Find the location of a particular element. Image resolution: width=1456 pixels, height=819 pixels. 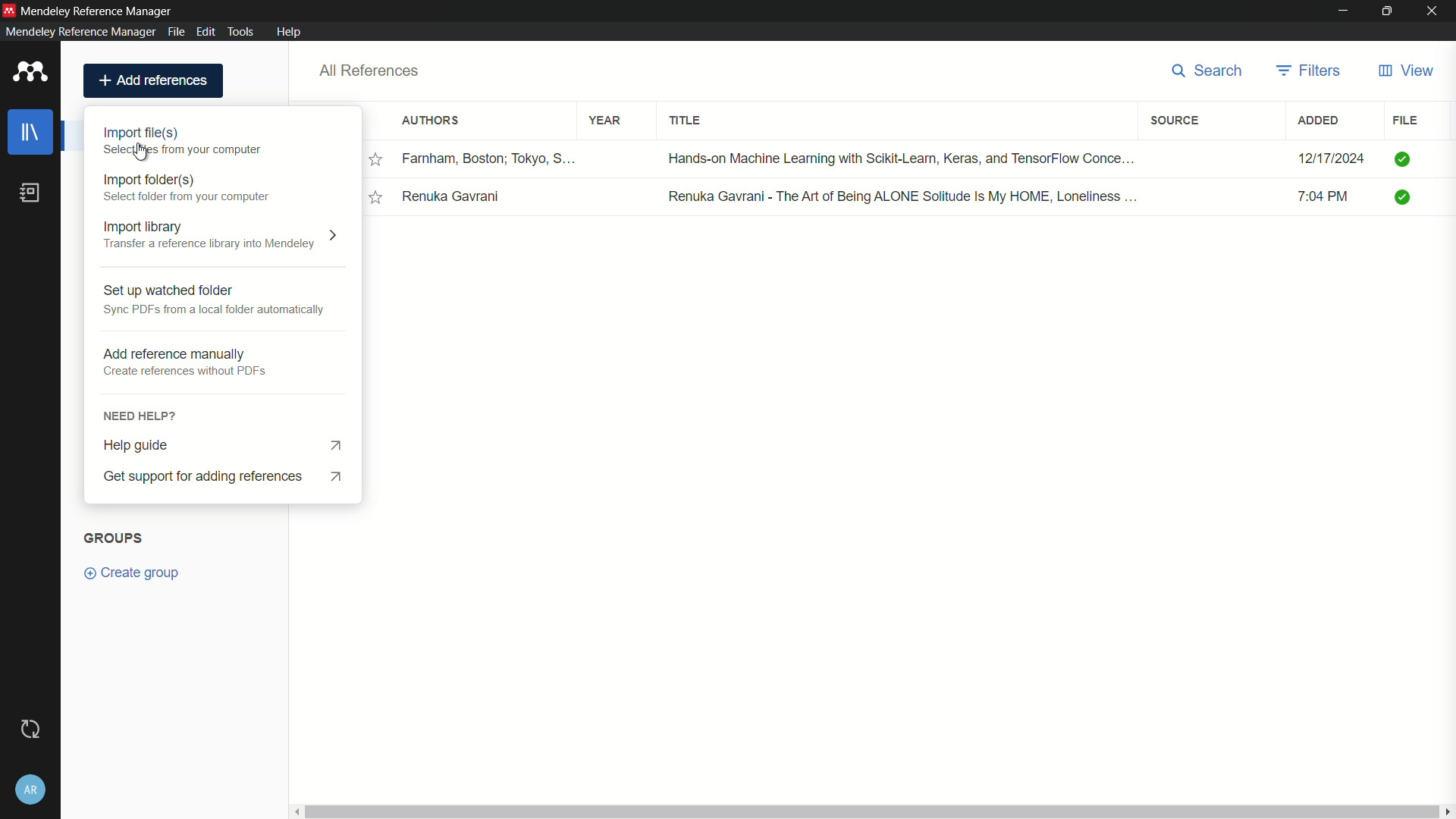

maximize is located at coordinates (1389, 11).